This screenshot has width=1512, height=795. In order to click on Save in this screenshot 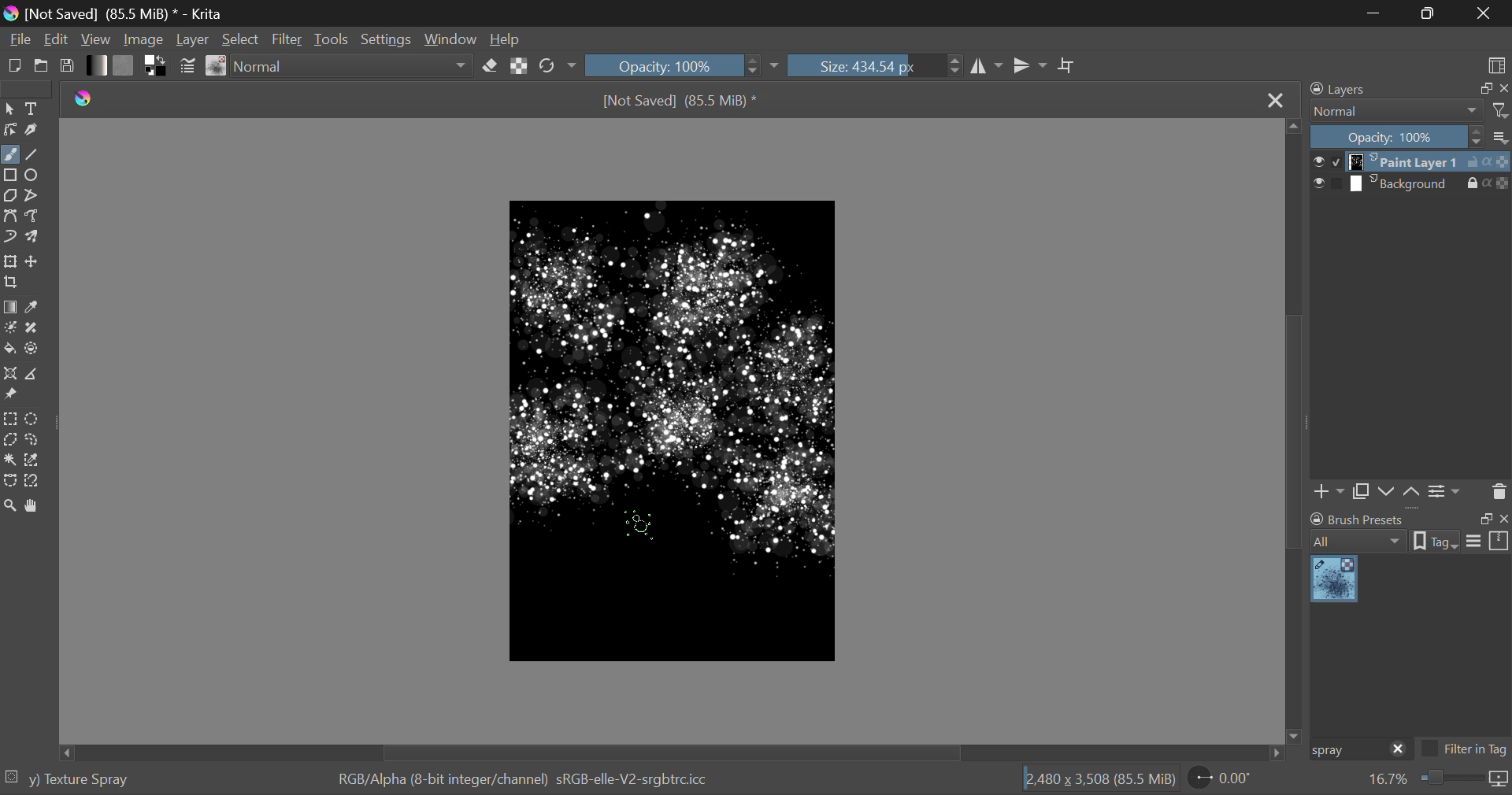, I will do `click(65, 65)`.